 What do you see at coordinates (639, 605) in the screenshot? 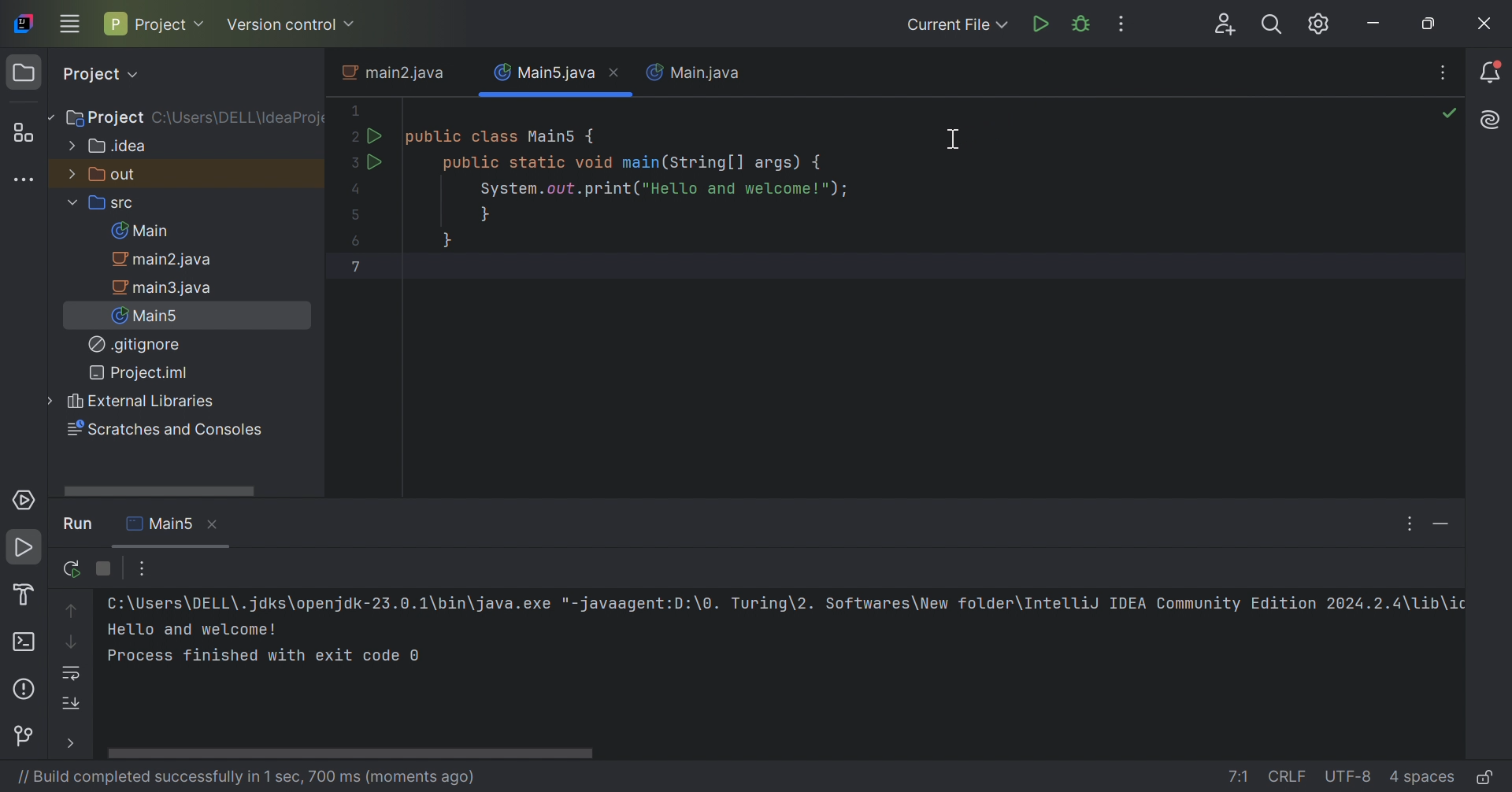
I see `"-javascript:D\:\0.` at bounding box center [639, 605].